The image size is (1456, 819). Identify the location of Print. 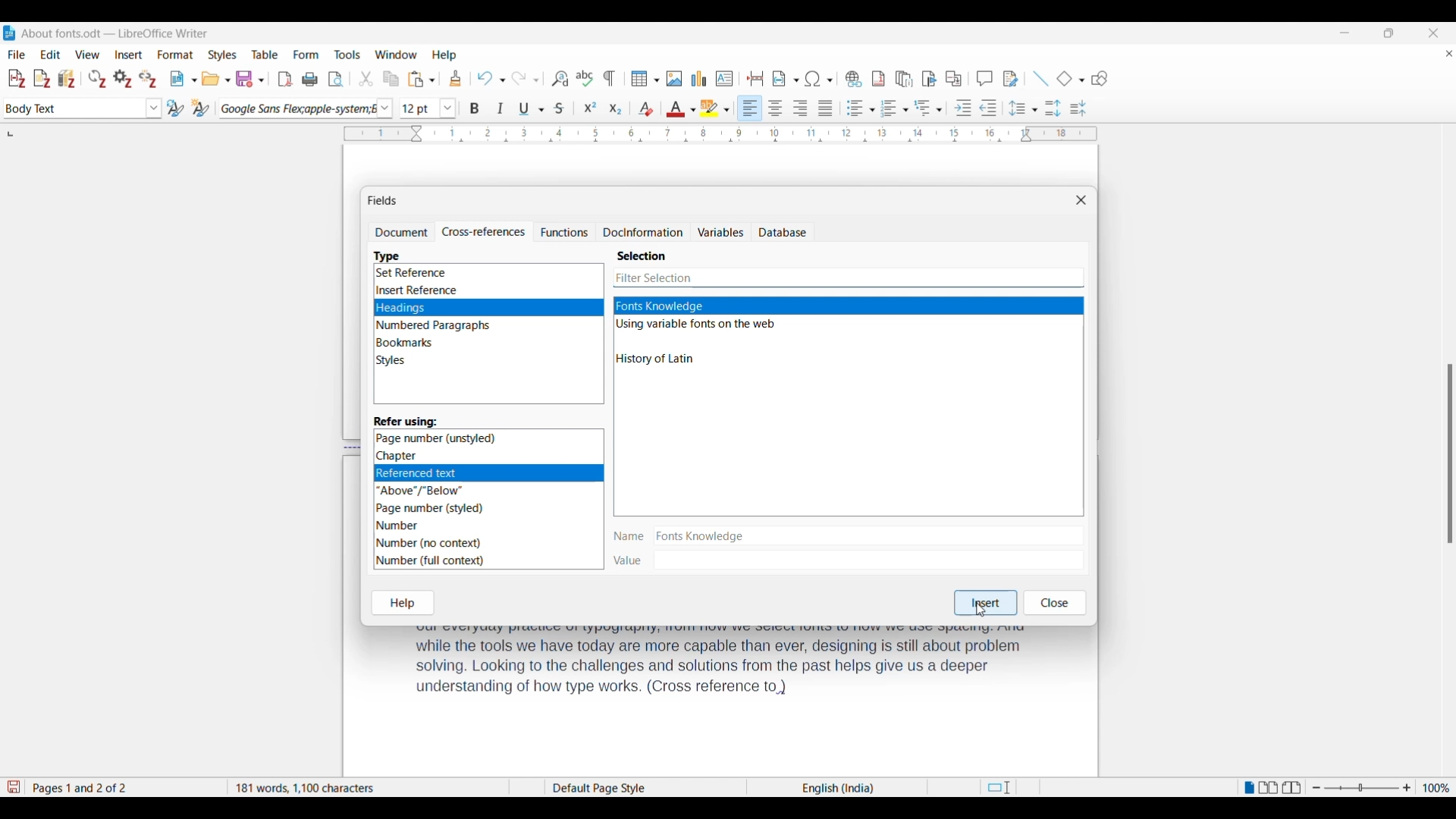
(309, 80).